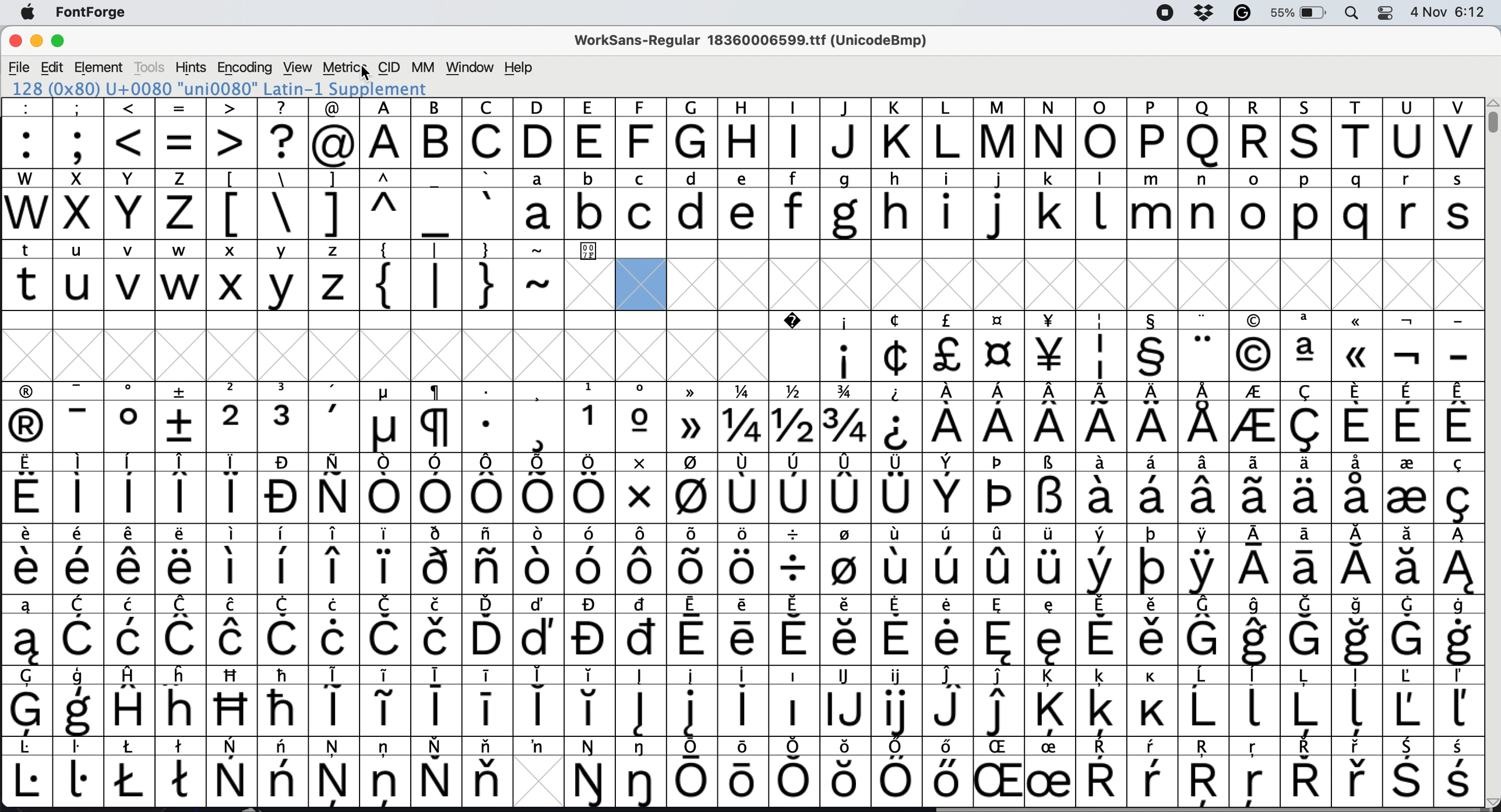 The image size is (1501, 812). What do you see at coordinates (1052, 249) in the screenshot?
I see `Empty cells` at bounding box center [1052, 249].